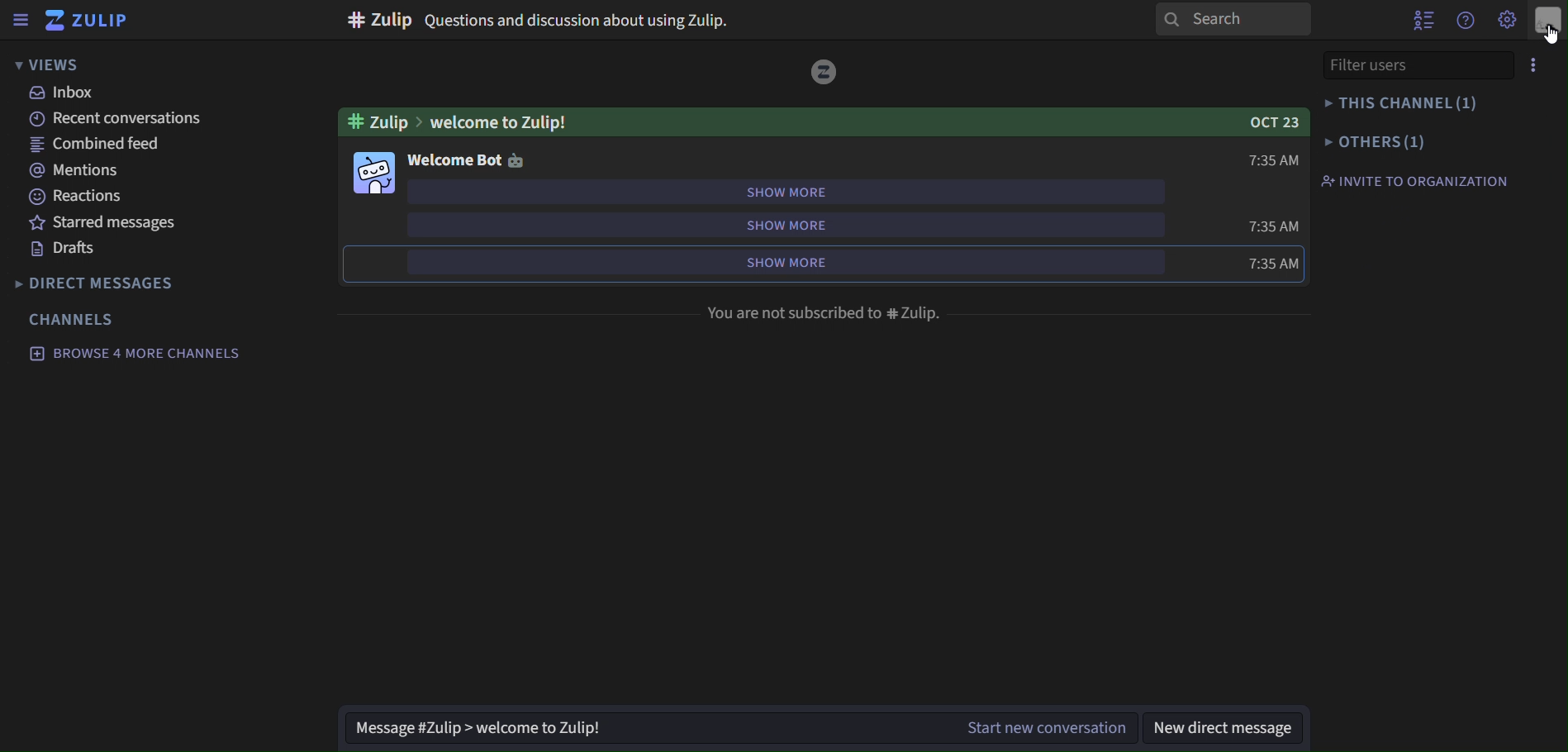 This screenshot has width=1568, height=752. What do you see at coordinates (1376, 144) in the screenshot?
I see `others(1)` at bounding box center [1376, 144].